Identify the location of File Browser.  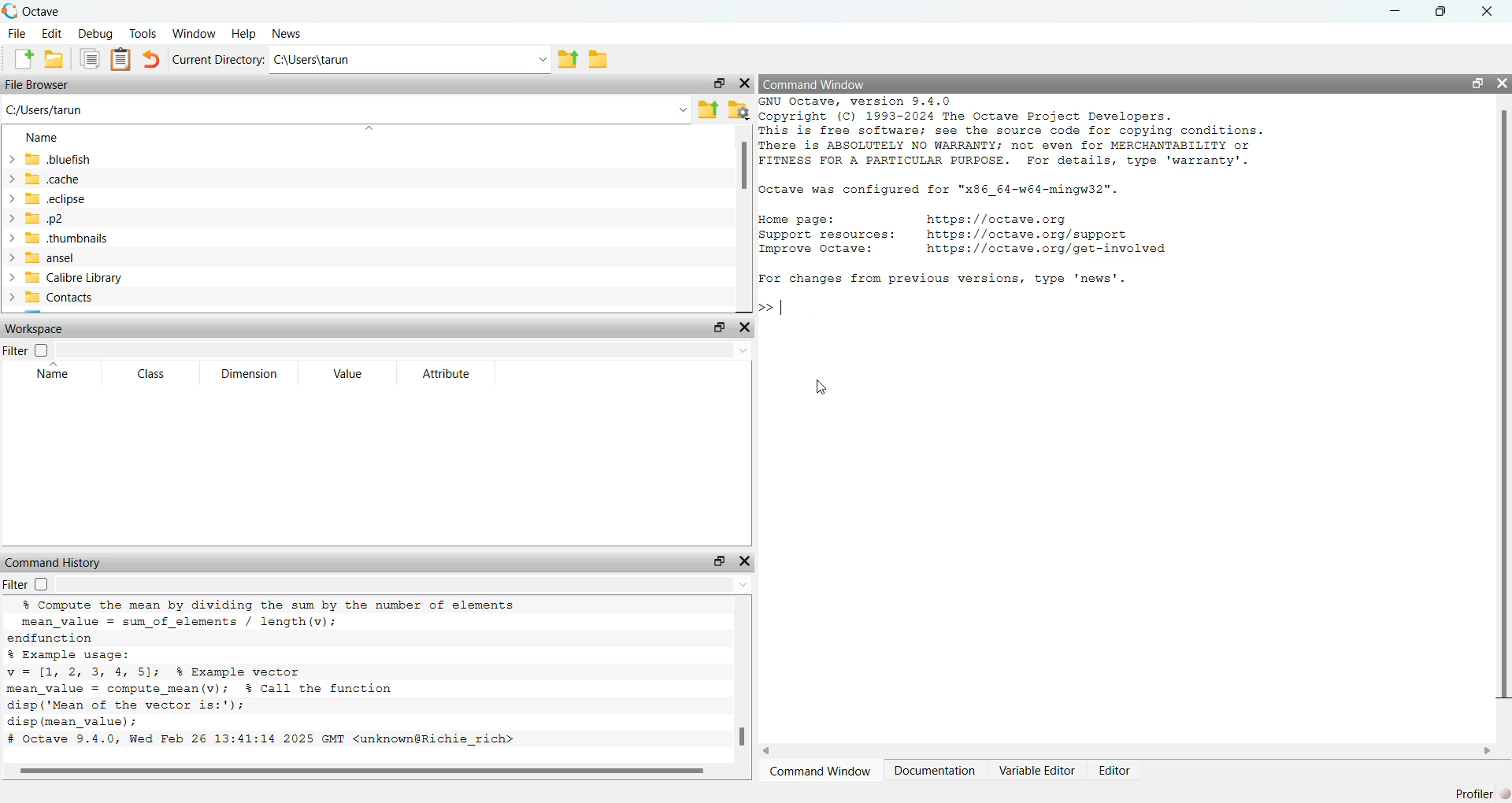
(38, 86).